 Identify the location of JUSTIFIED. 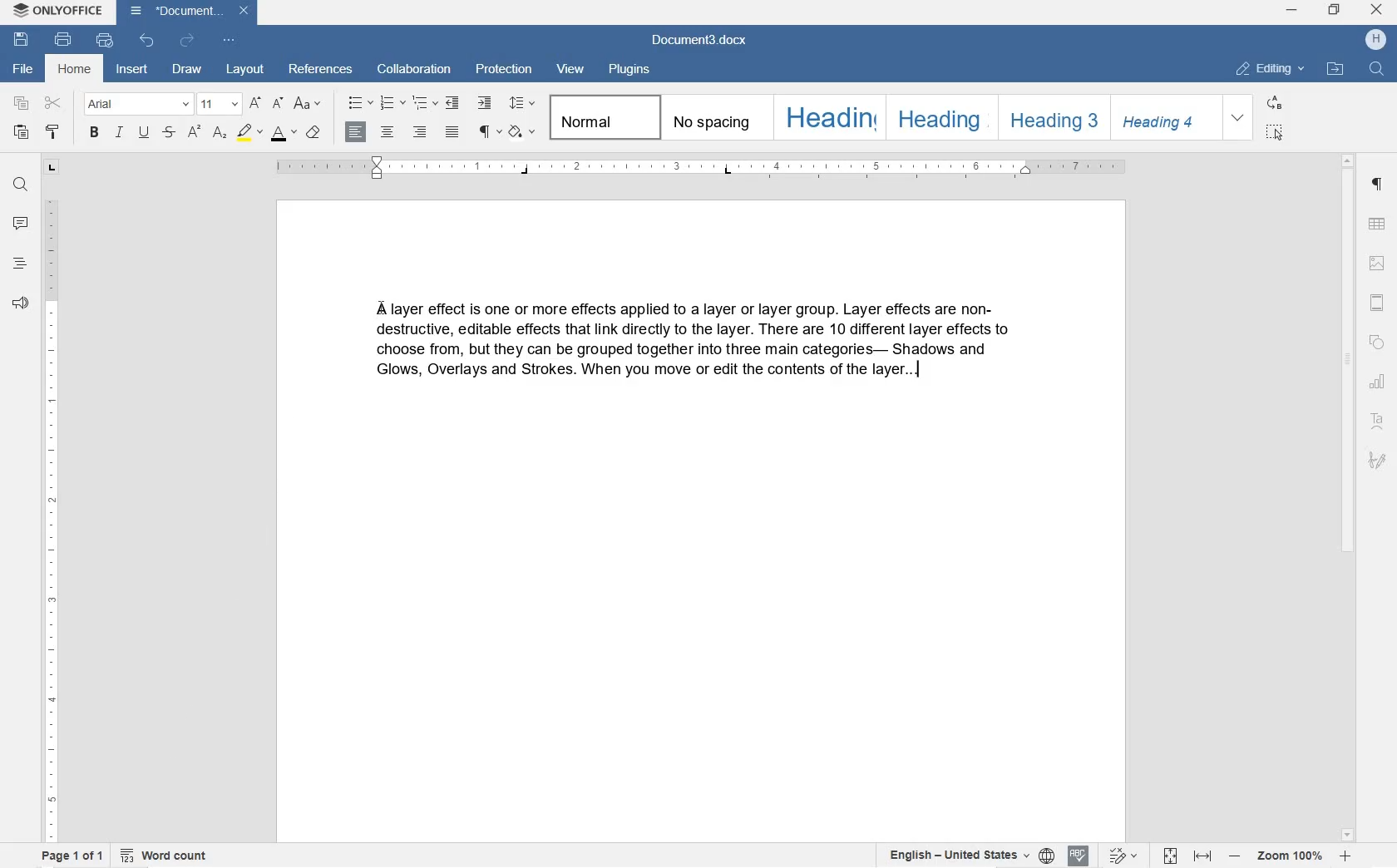
(454, 133).